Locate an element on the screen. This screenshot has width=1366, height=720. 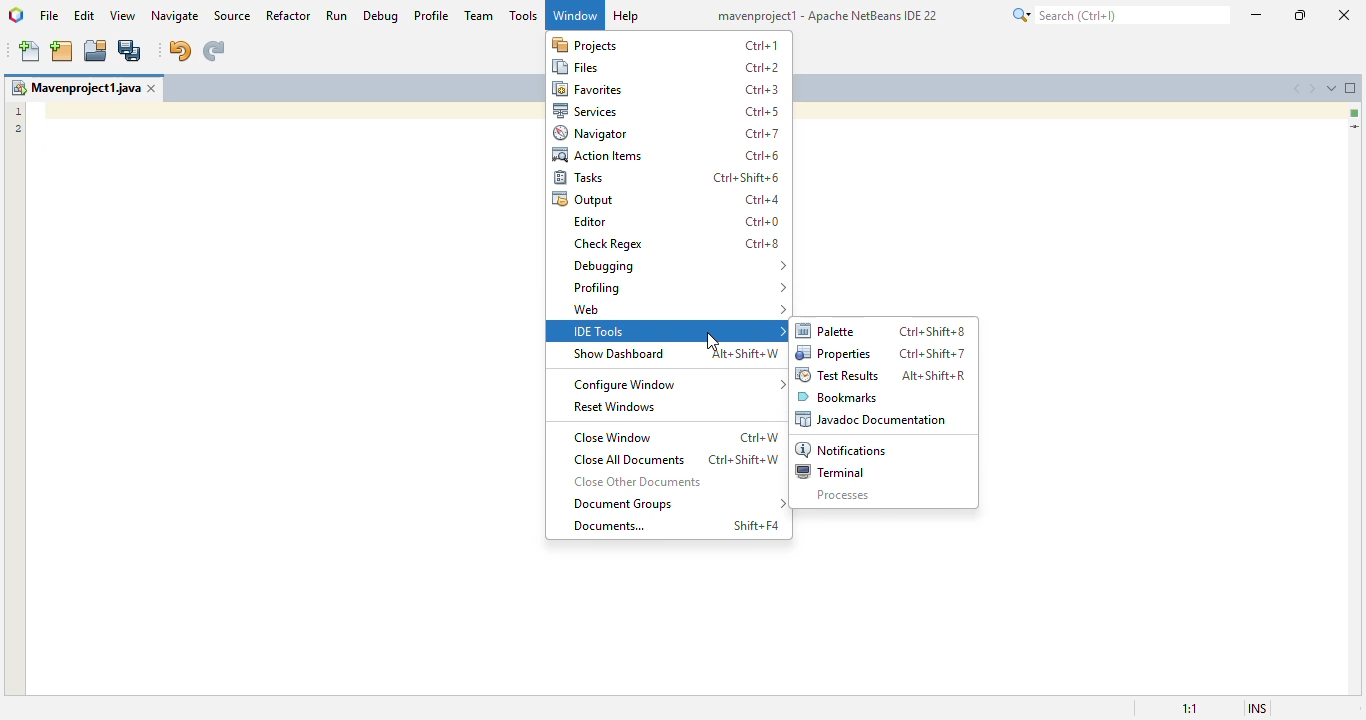
edit is located at coordinates (85, 14).